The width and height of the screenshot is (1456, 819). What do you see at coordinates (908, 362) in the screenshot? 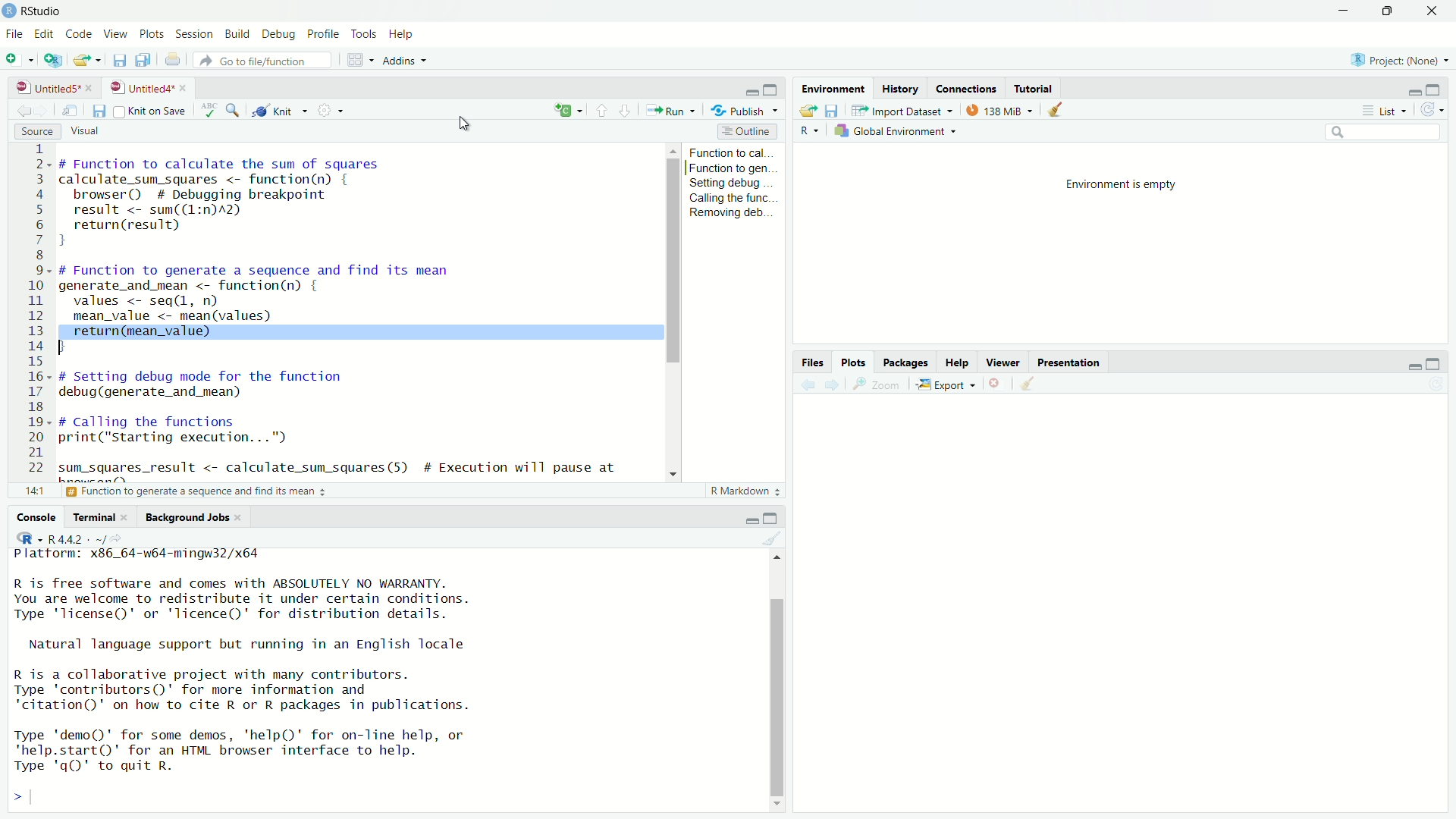
I see `packages` at bounding box center [908, 362].